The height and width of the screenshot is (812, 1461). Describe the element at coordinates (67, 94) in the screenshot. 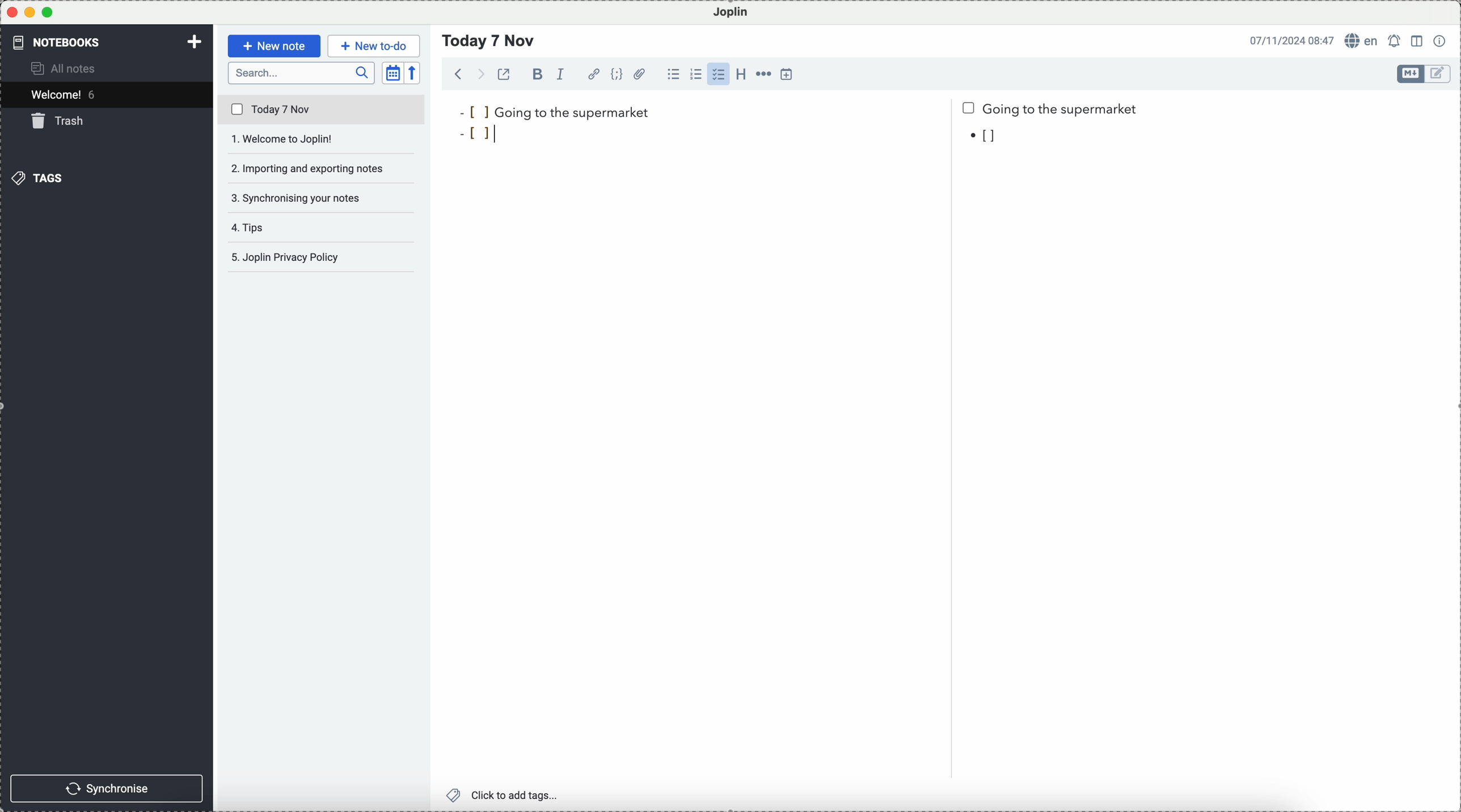

I see `welcome! 6` at that location.